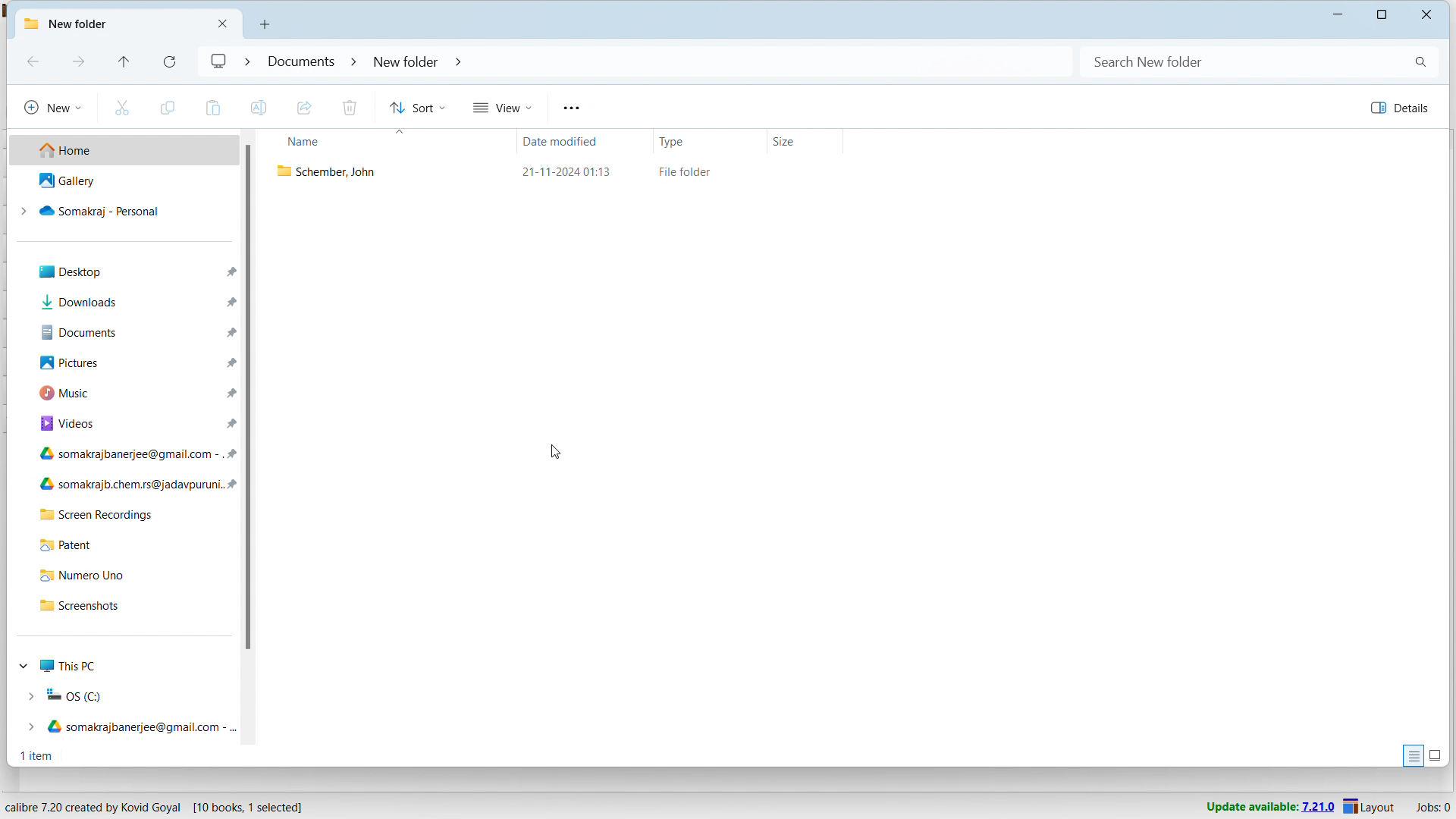 This screenshot has width=1456, height=819. Describe the element at coordinates (352, 107) in the screenshot. I see `delete` at that location.